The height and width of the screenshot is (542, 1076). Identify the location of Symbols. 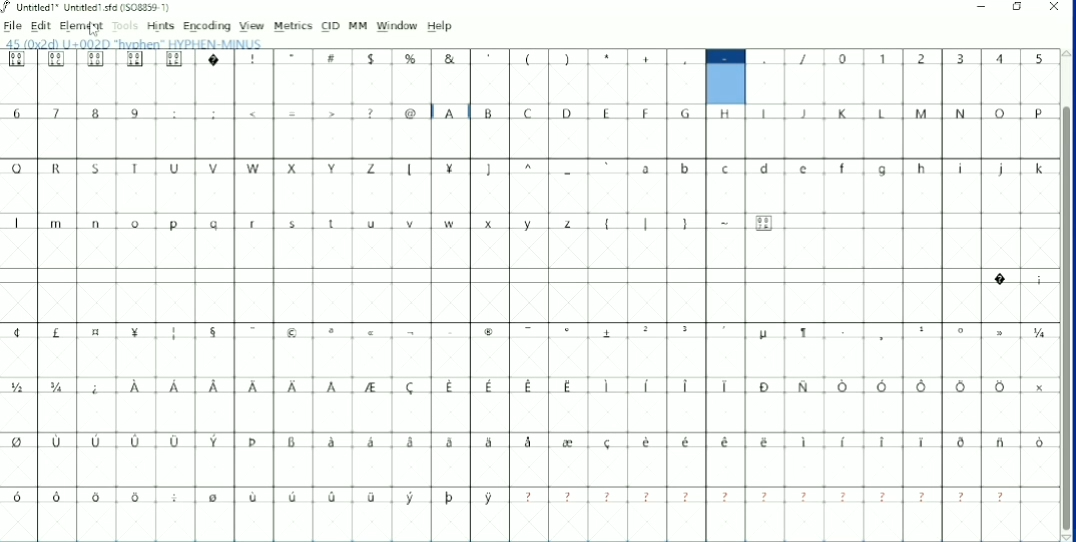
(412, 59).